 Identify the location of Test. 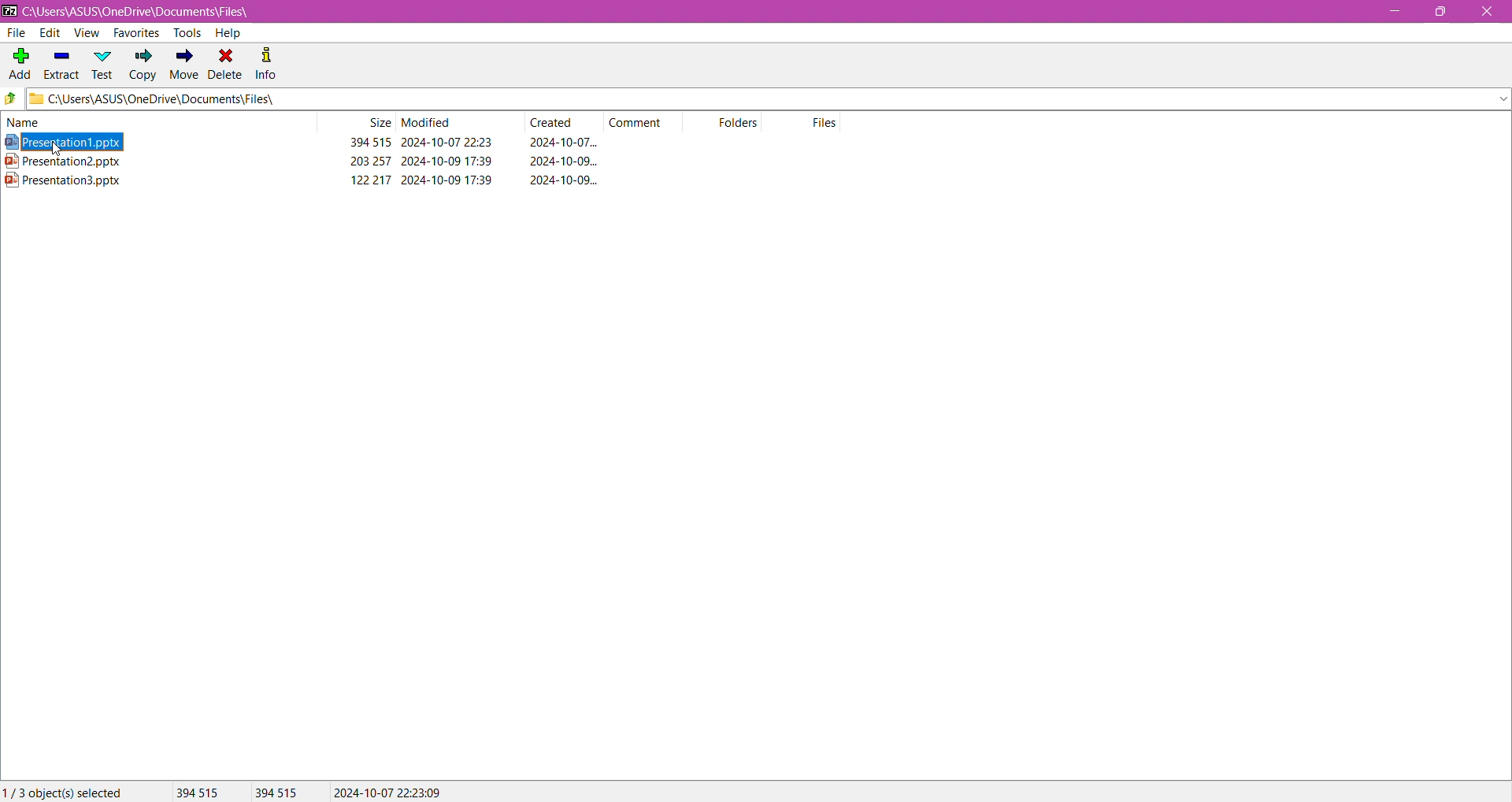
(103, 64).